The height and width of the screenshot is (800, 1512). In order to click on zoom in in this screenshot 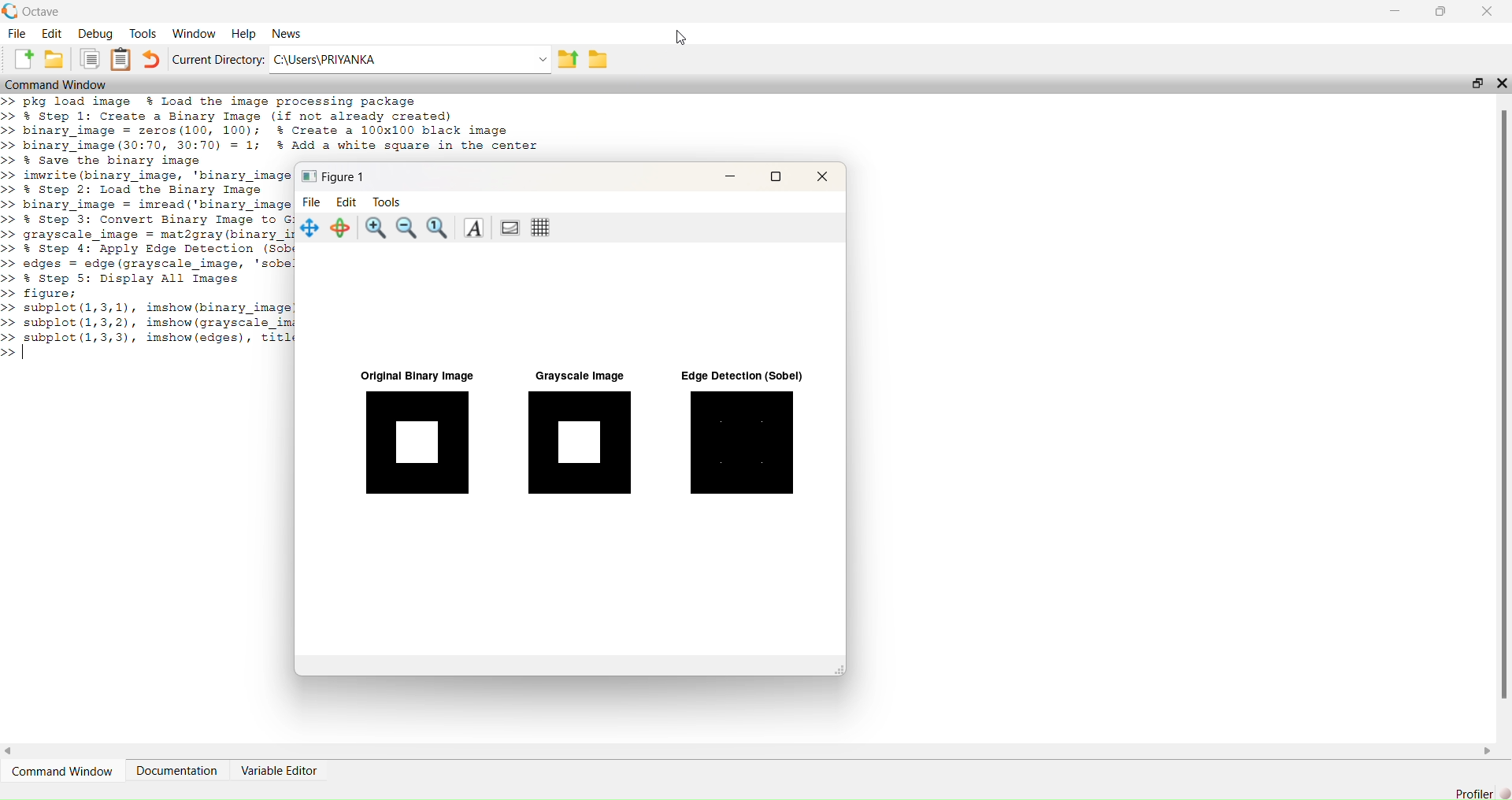, I will do `click(376, 228)`.